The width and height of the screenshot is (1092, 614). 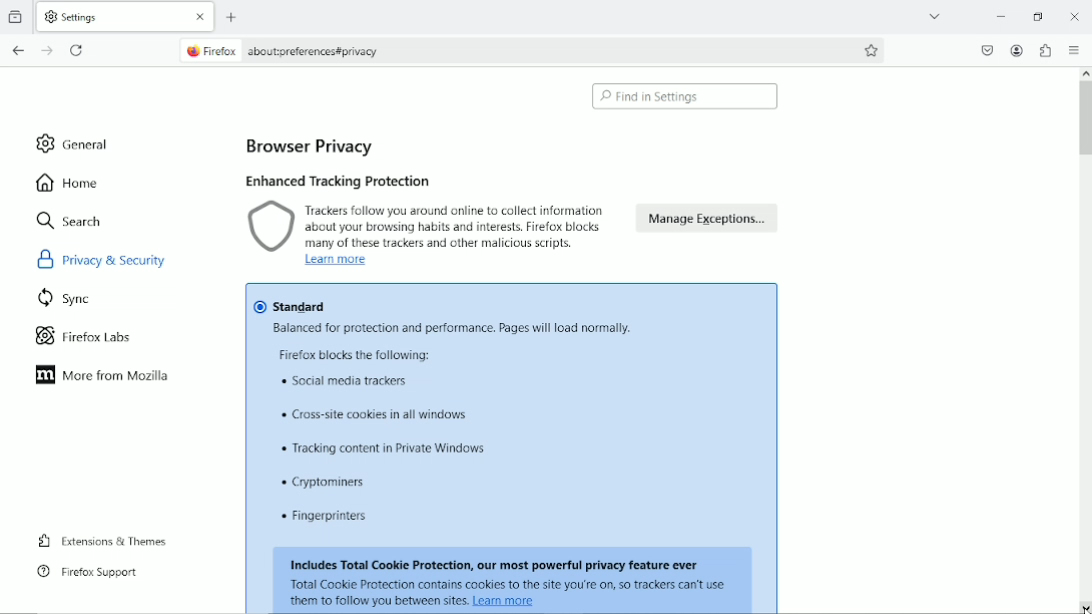 What do you see at coordinates (1085, 342) in the screenshot?
I see `vertical scrollbar` at bounding box center [1085, 342].